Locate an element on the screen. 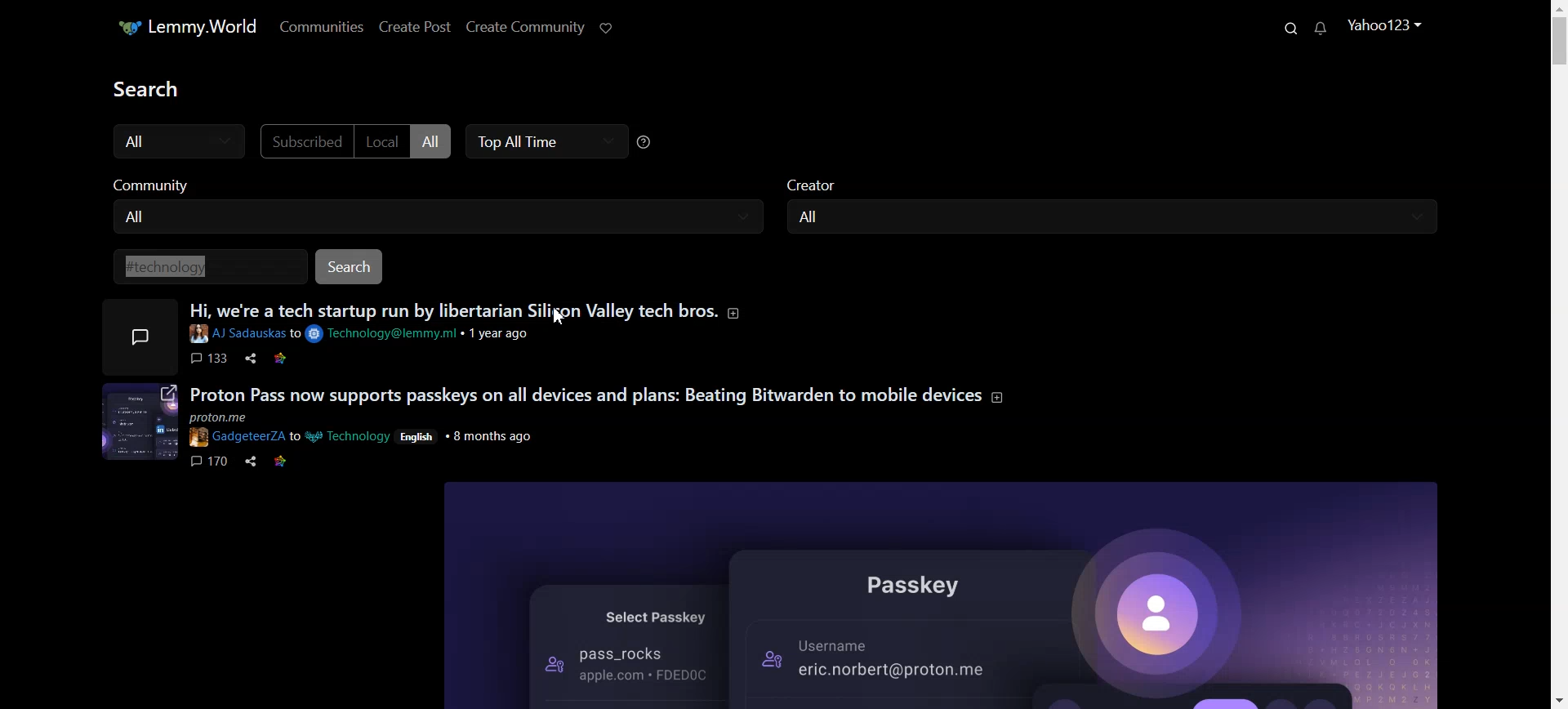 The image size is (1568, 709). share is located at coordinates (253, 462).